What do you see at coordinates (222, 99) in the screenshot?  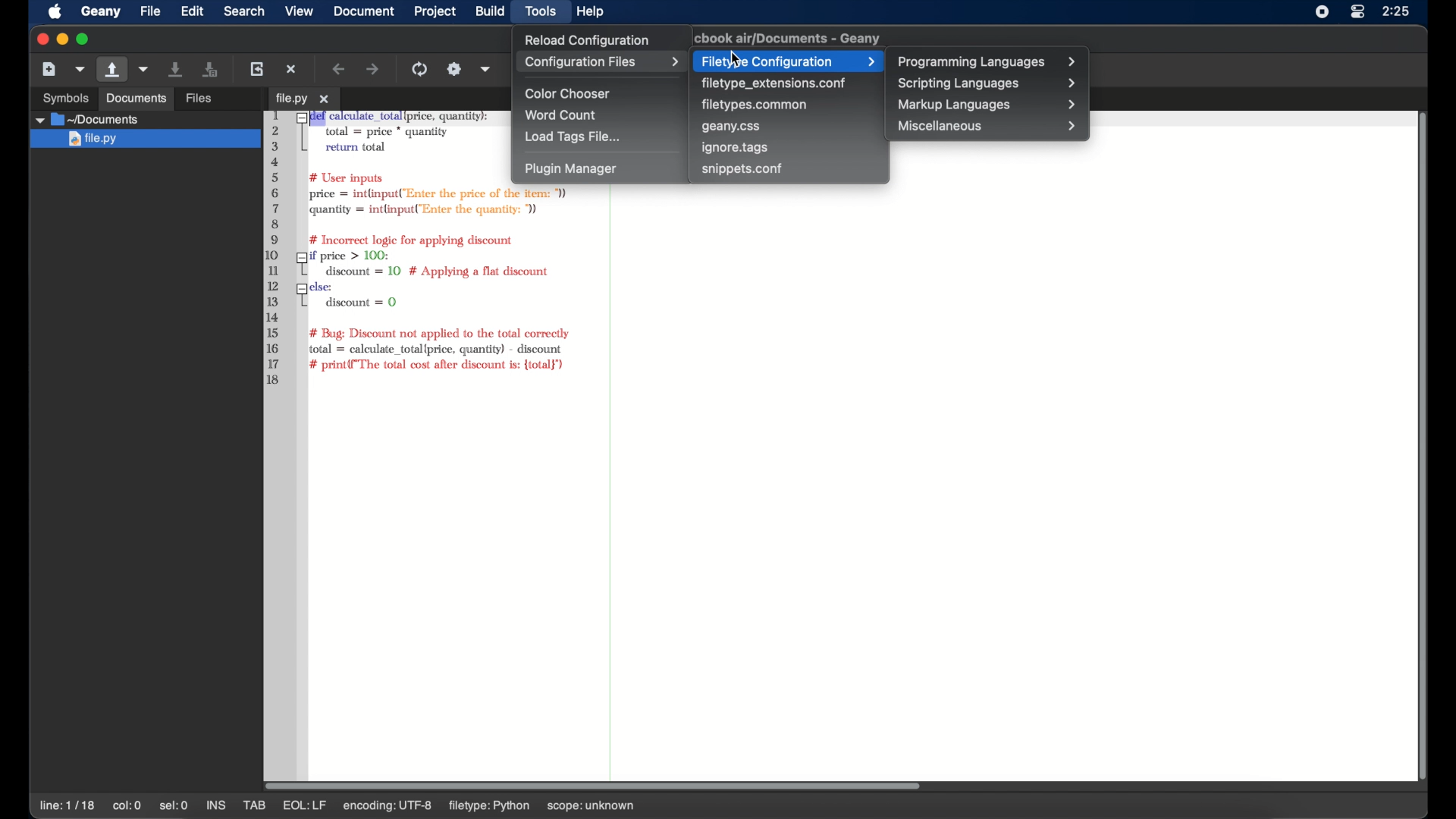 I see `open an existing file` at bounding box center [222, 99].